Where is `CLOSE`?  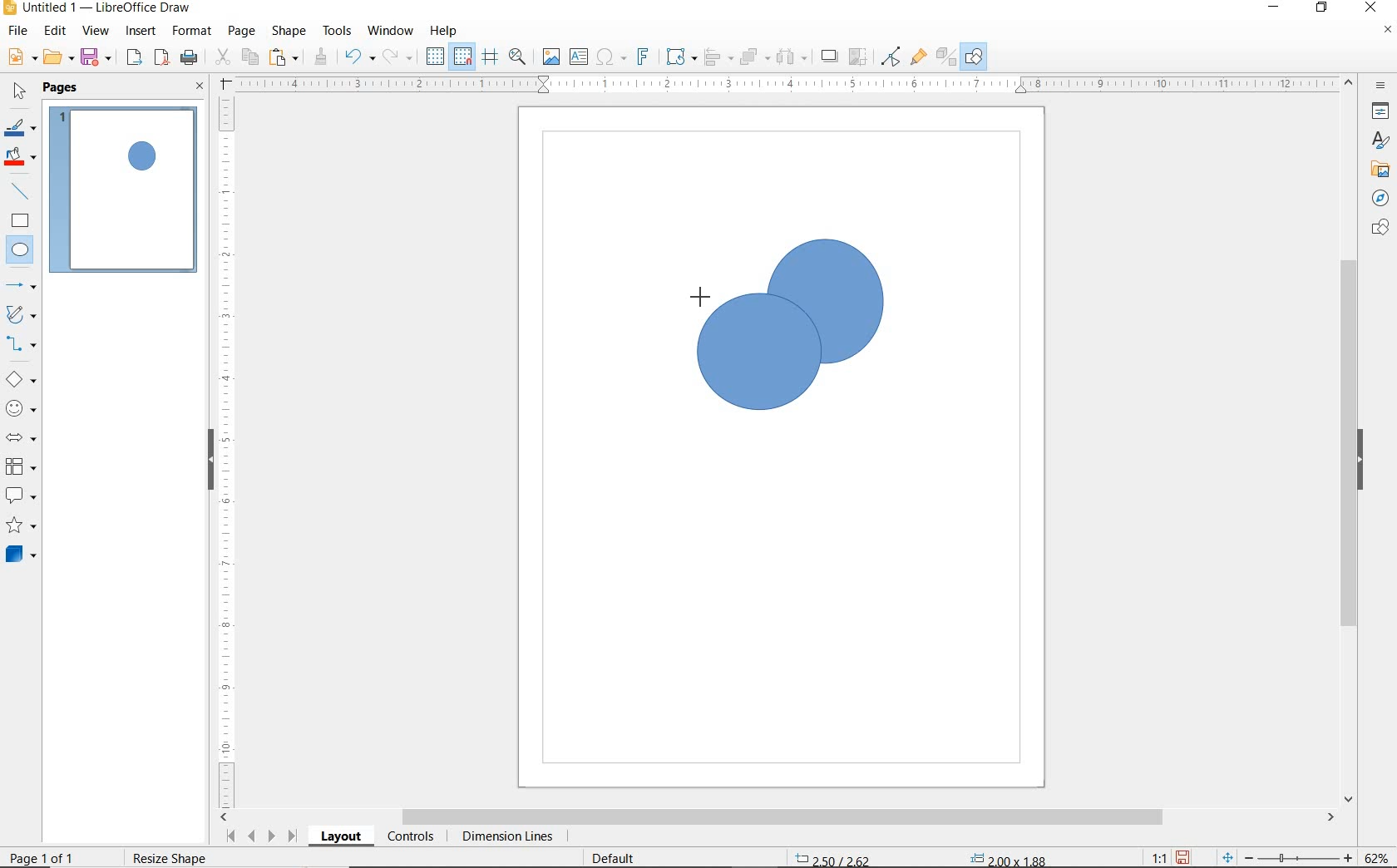
CLOSE is located at coordinates (1370, 6).